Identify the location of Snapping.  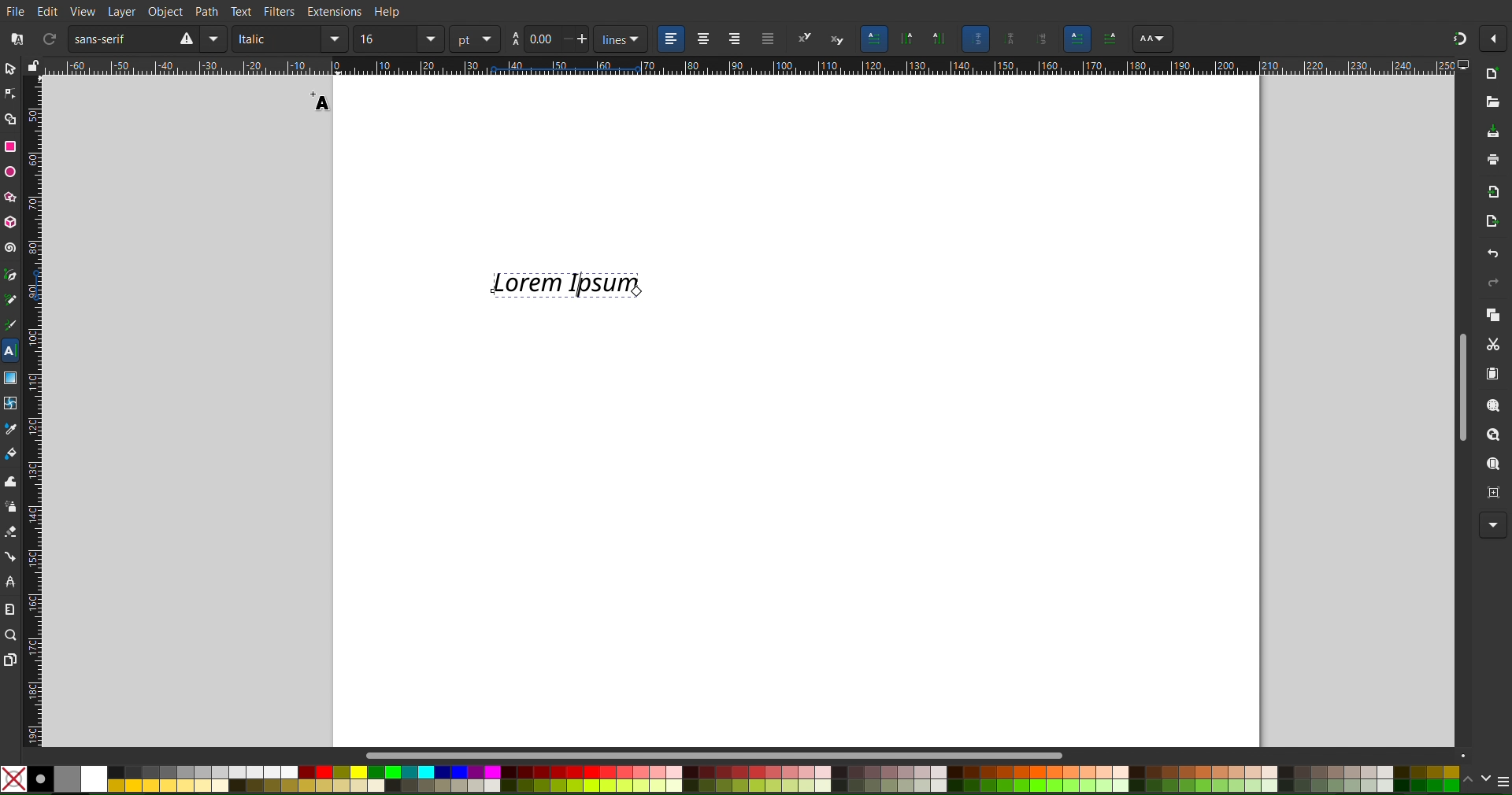
(1458, 39).